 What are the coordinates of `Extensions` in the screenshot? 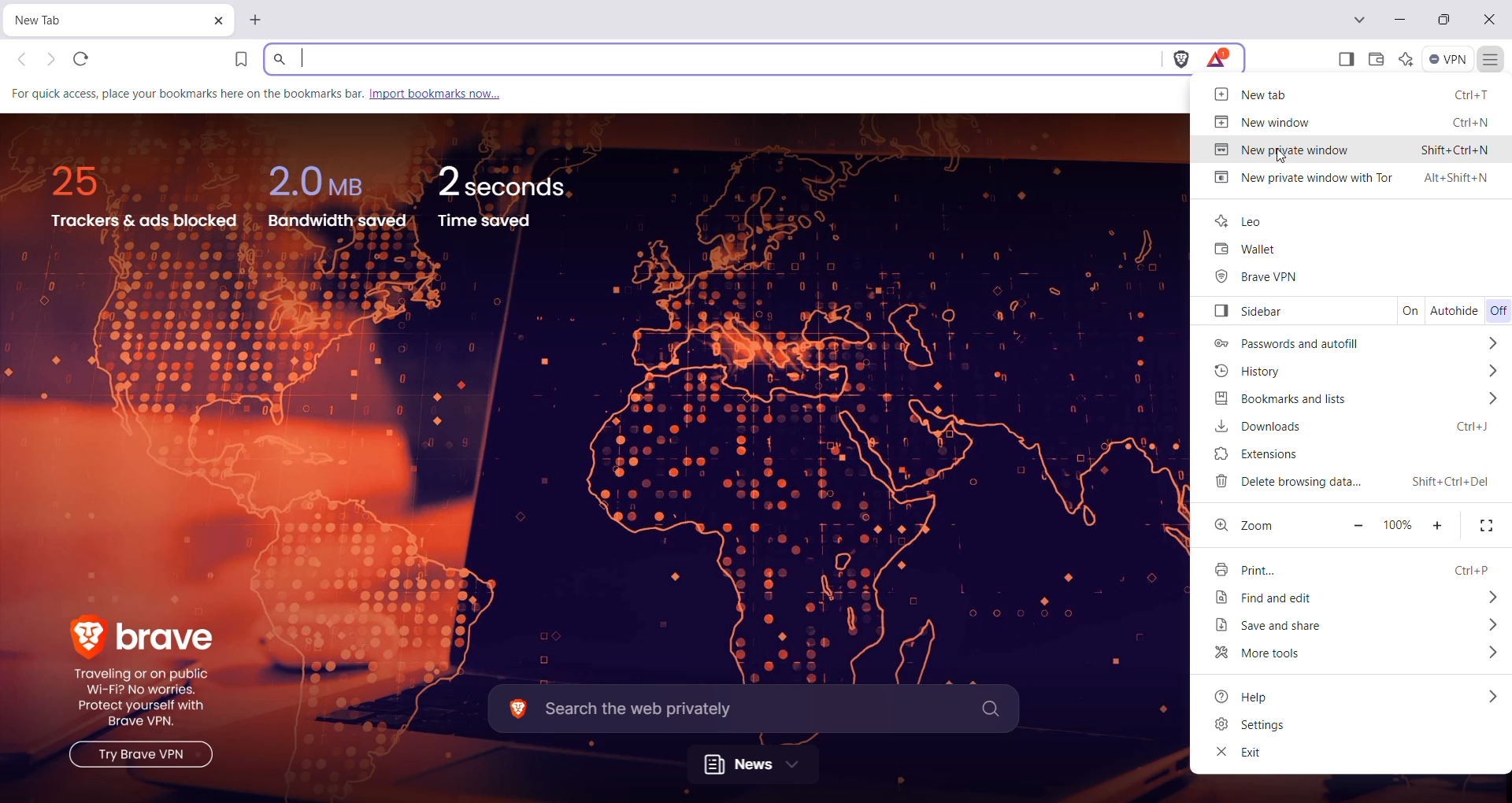 It's located at (1271, 453).